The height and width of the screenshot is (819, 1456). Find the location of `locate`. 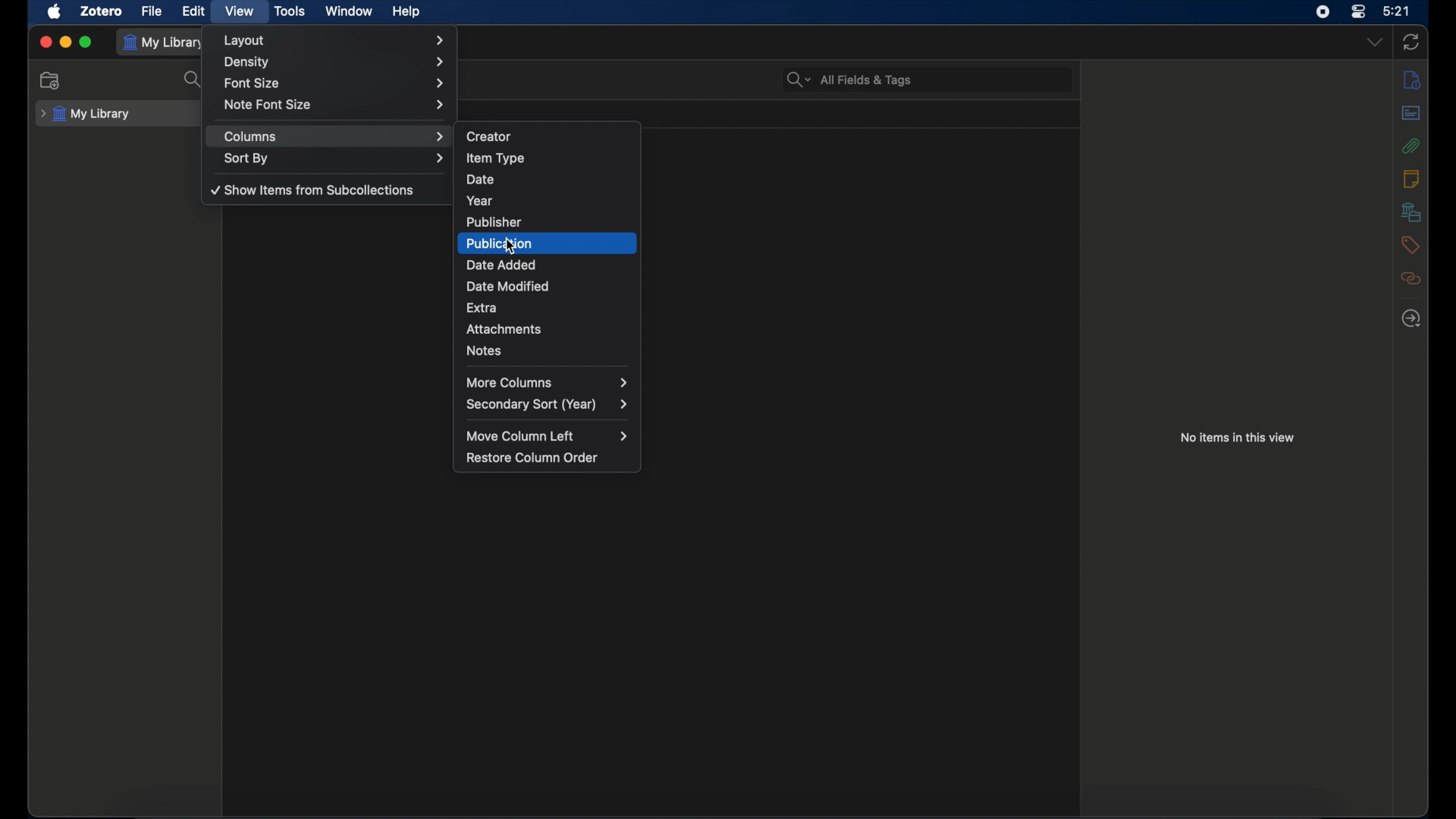

locate is located at coordinates (1411, 319).